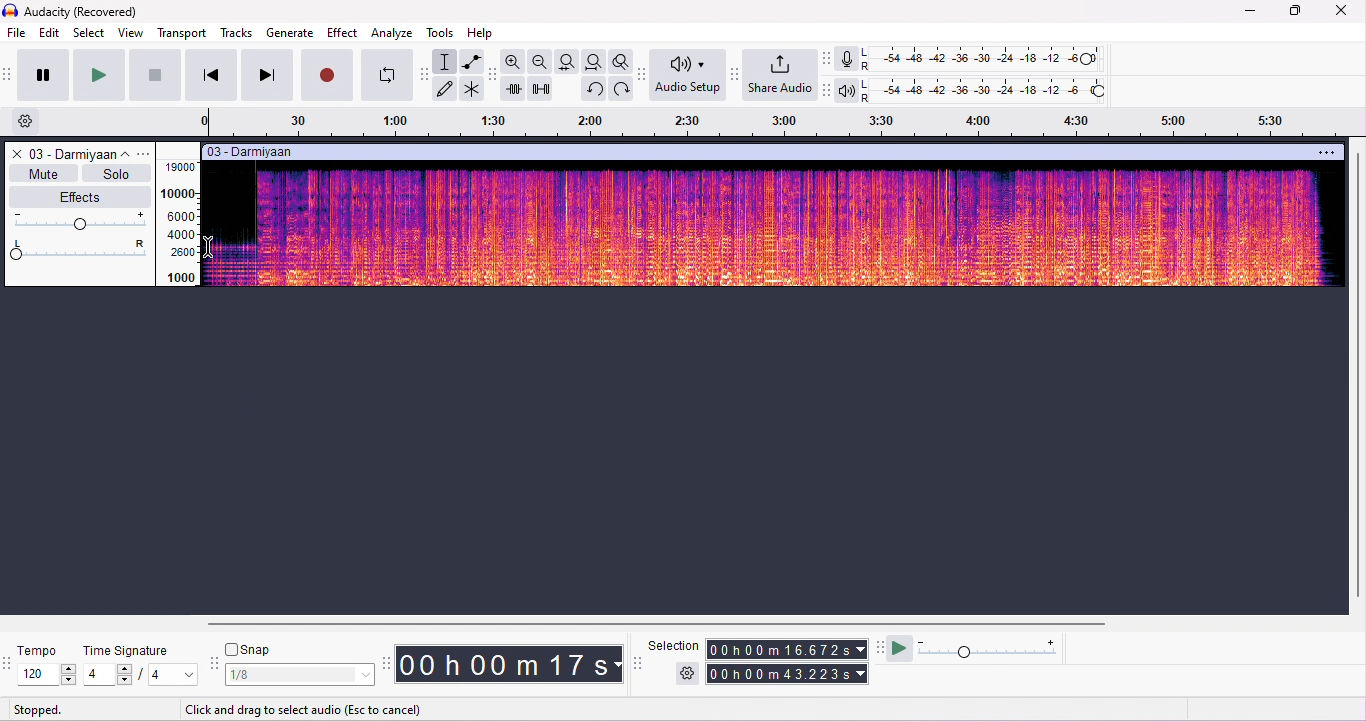 This screenshot has height=722, width=1366. I want to click on options, so click(1325, 152).